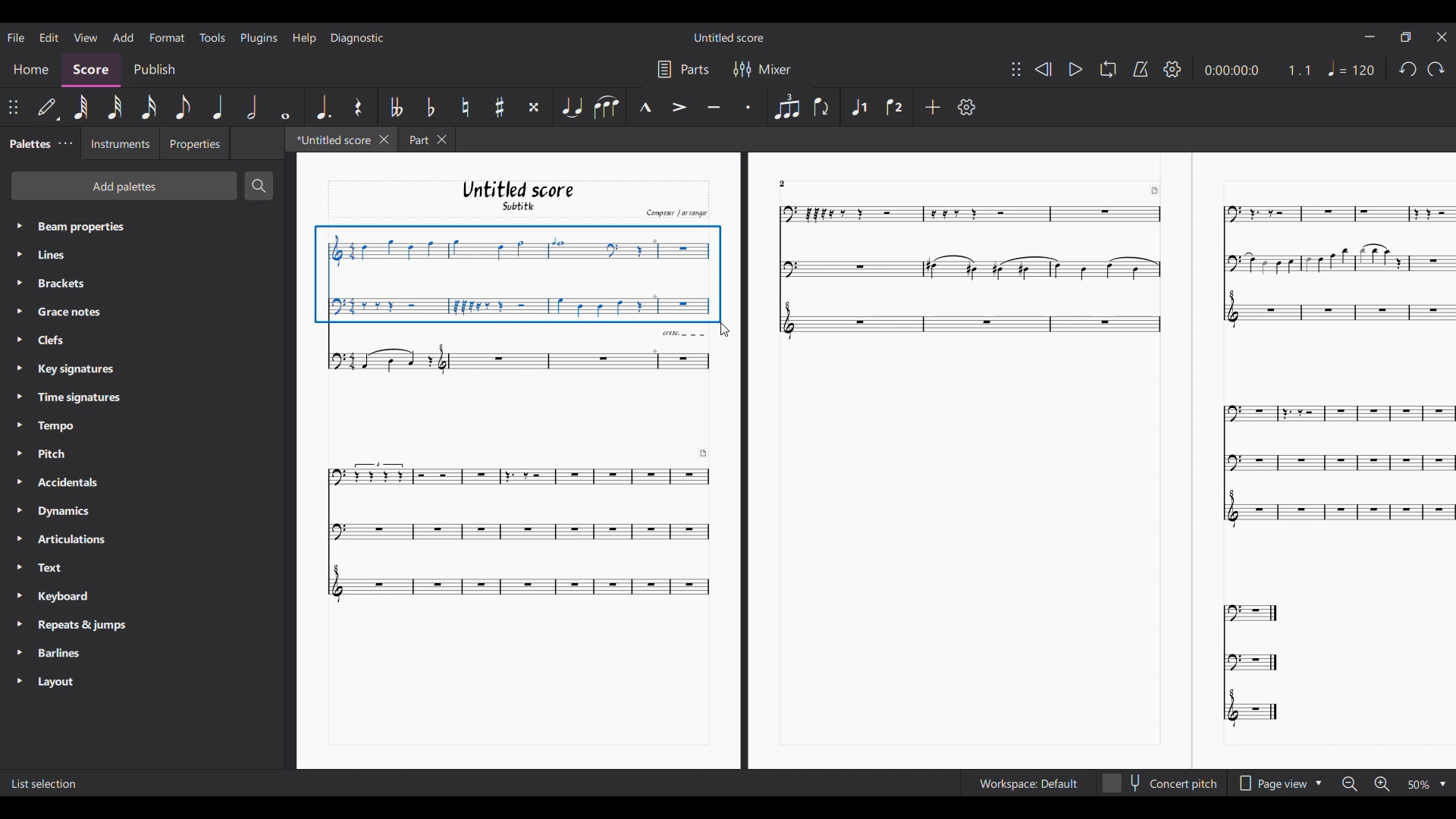 Image resolution: width=1456 pixels, height=819 pixels. I want to click on Change position, so click(13, 108).